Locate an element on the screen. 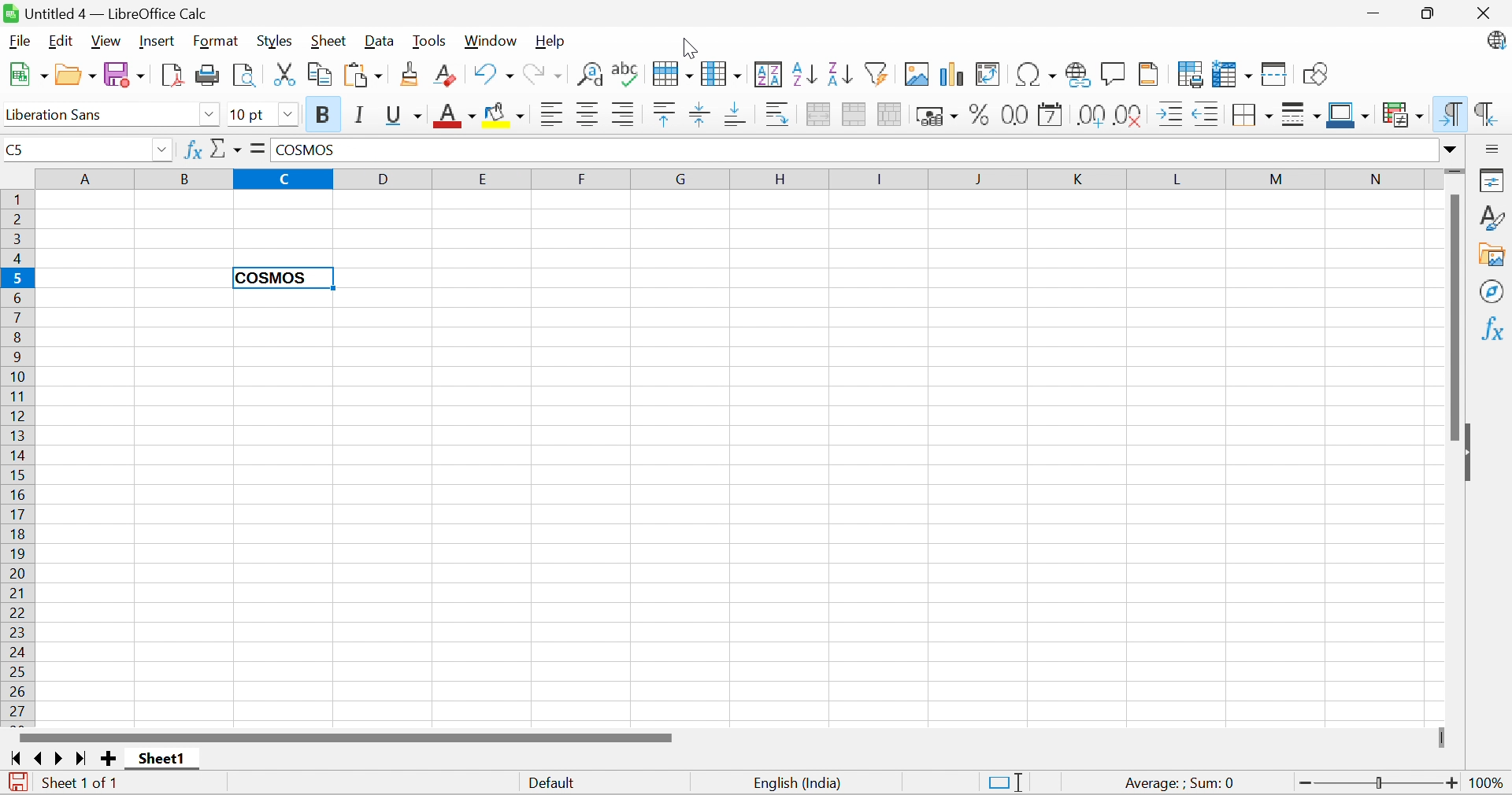  Copy is located at coordinates (322, 75).